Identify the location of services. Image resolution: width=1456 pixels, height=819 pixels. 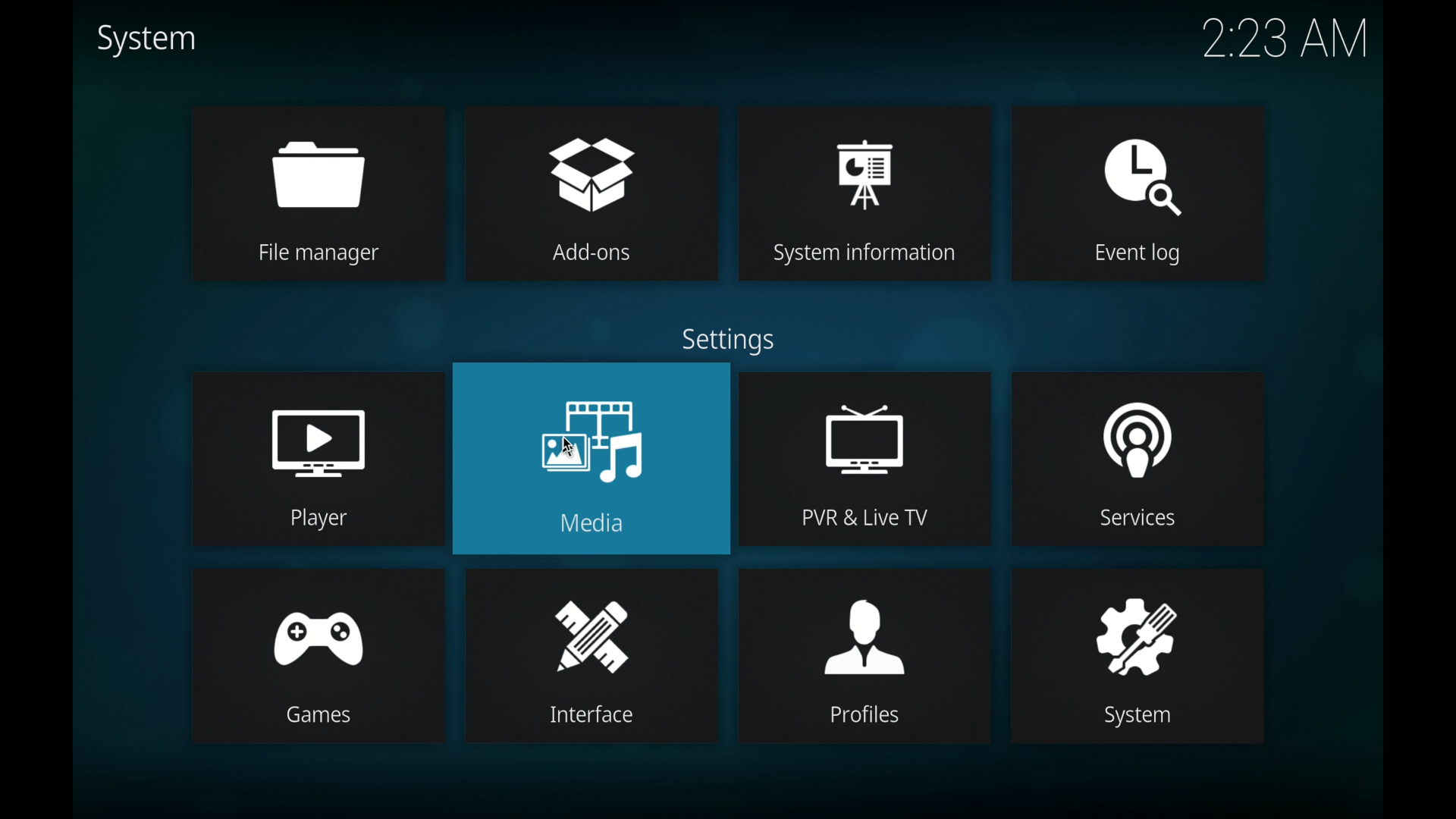
(1134, 427).